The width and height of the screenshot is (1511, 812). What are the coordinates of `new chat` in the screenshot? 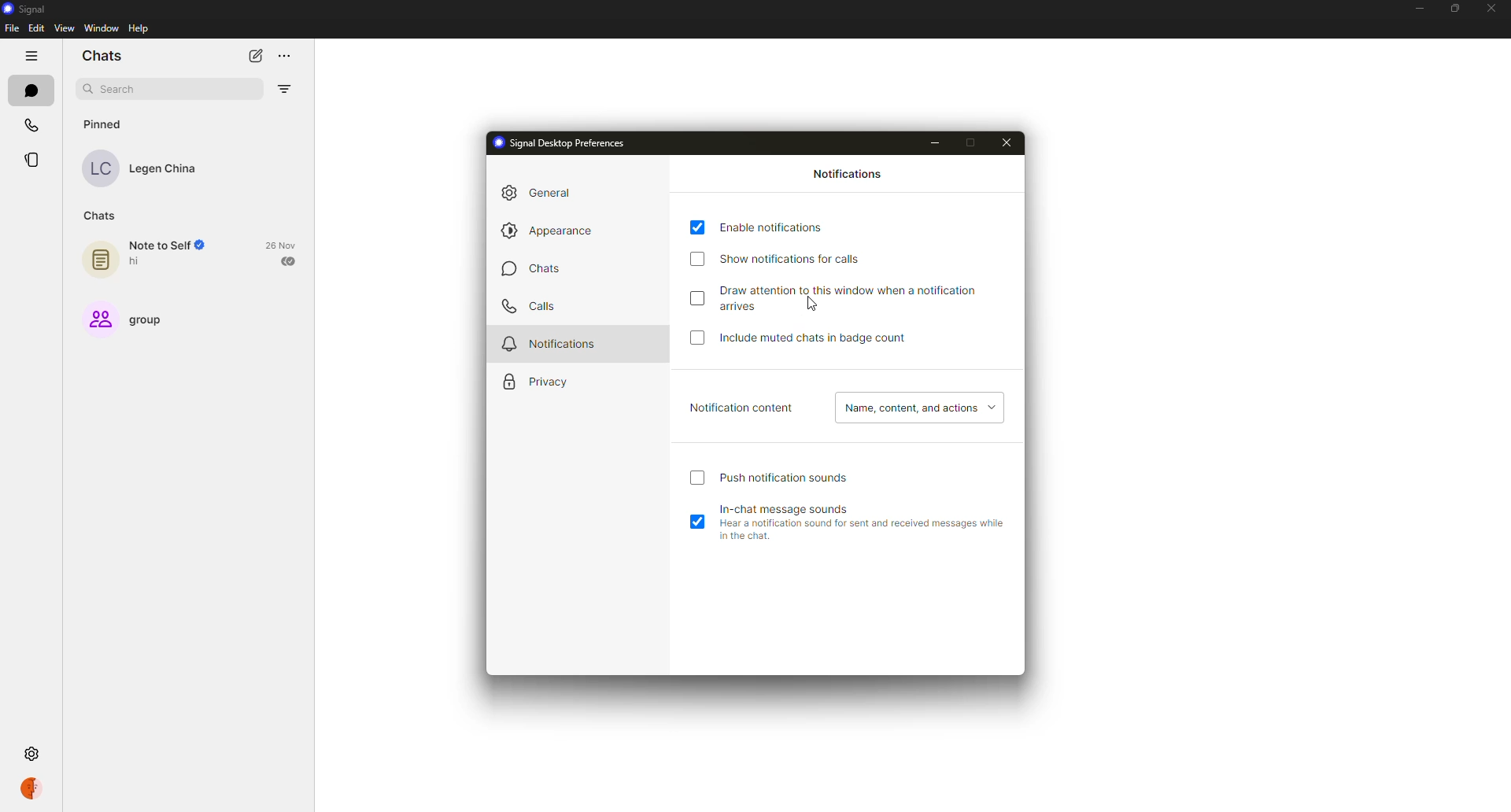 It's located at (253, 55).